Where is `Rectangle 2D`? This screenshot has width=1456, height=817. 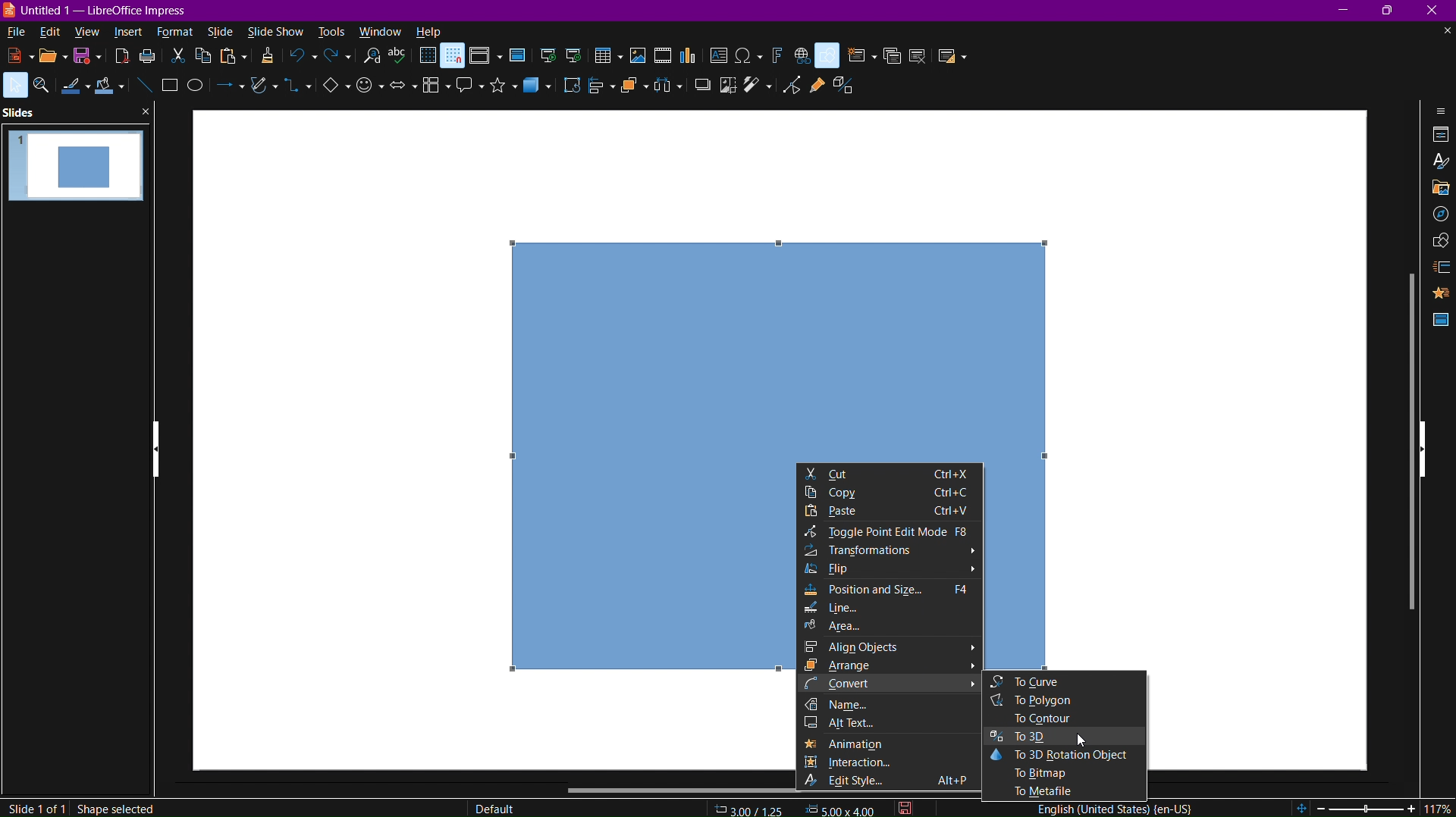
Rectangle 2D is located at coordinates (780, 349).